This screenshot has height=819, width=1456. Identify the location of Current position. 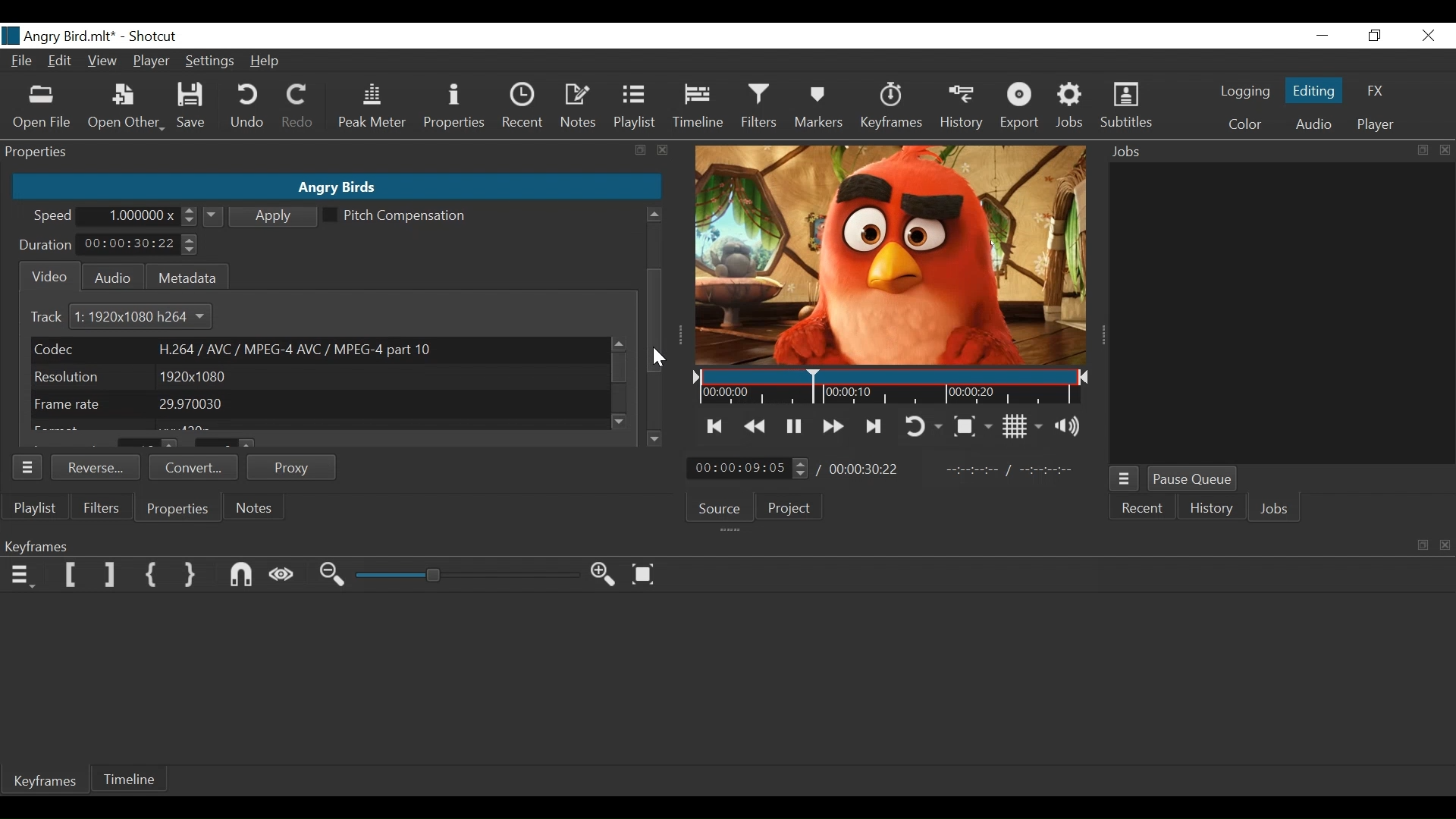
(749, 468).